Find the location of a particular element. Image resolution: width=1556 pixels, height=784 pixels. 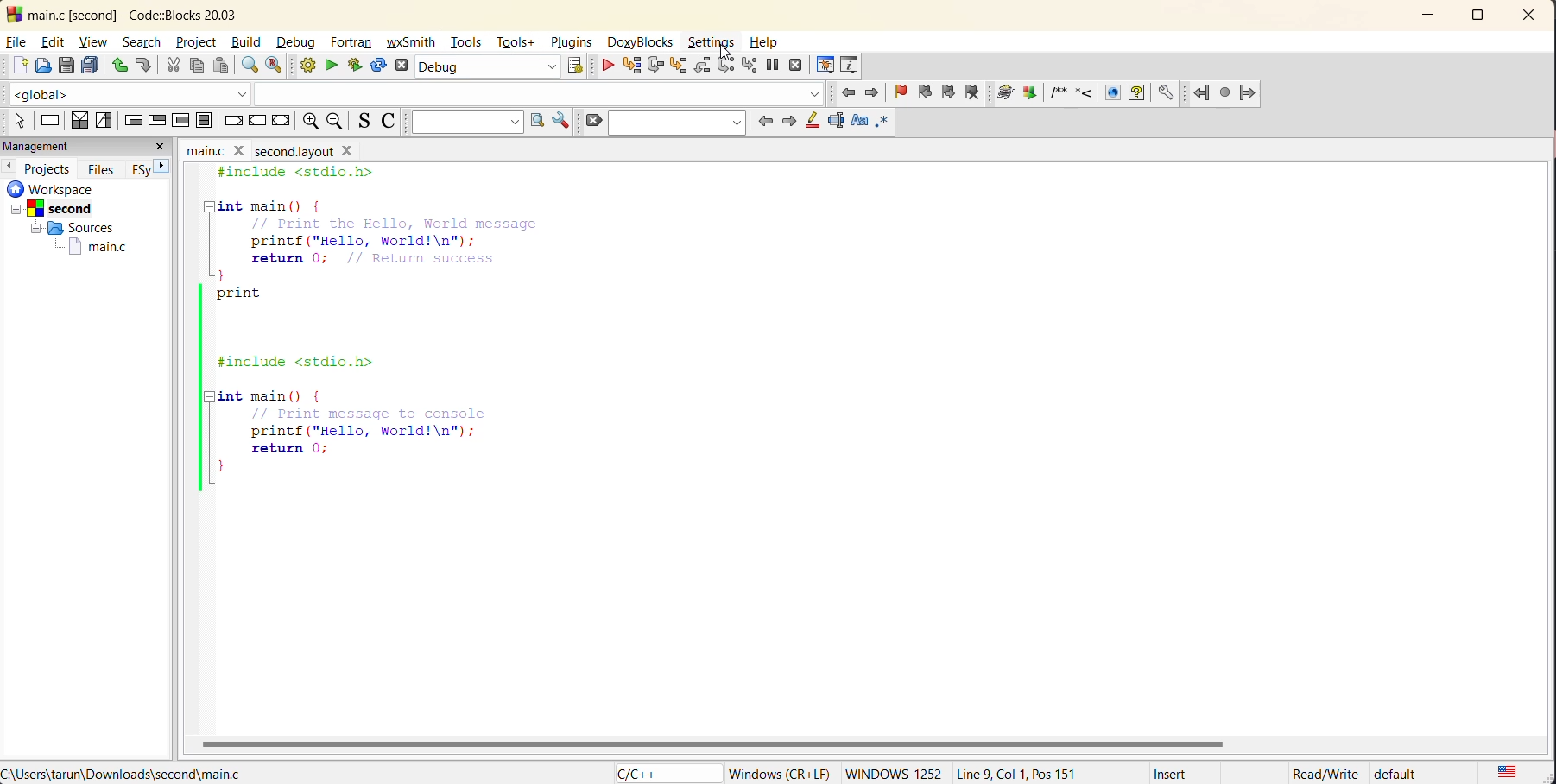

paste is located at coordinates (220, 67).